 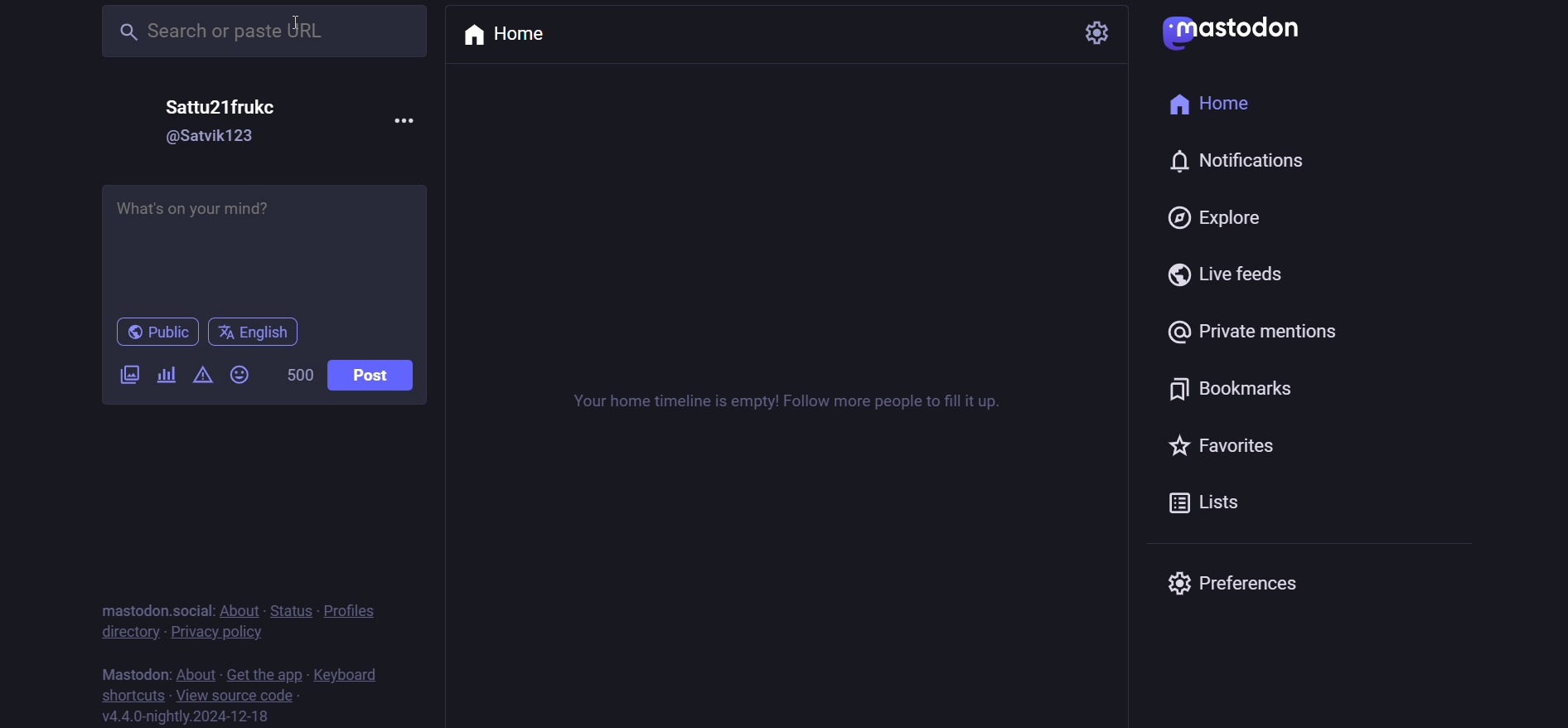 I want to click on about, so click(x=195, y=672).